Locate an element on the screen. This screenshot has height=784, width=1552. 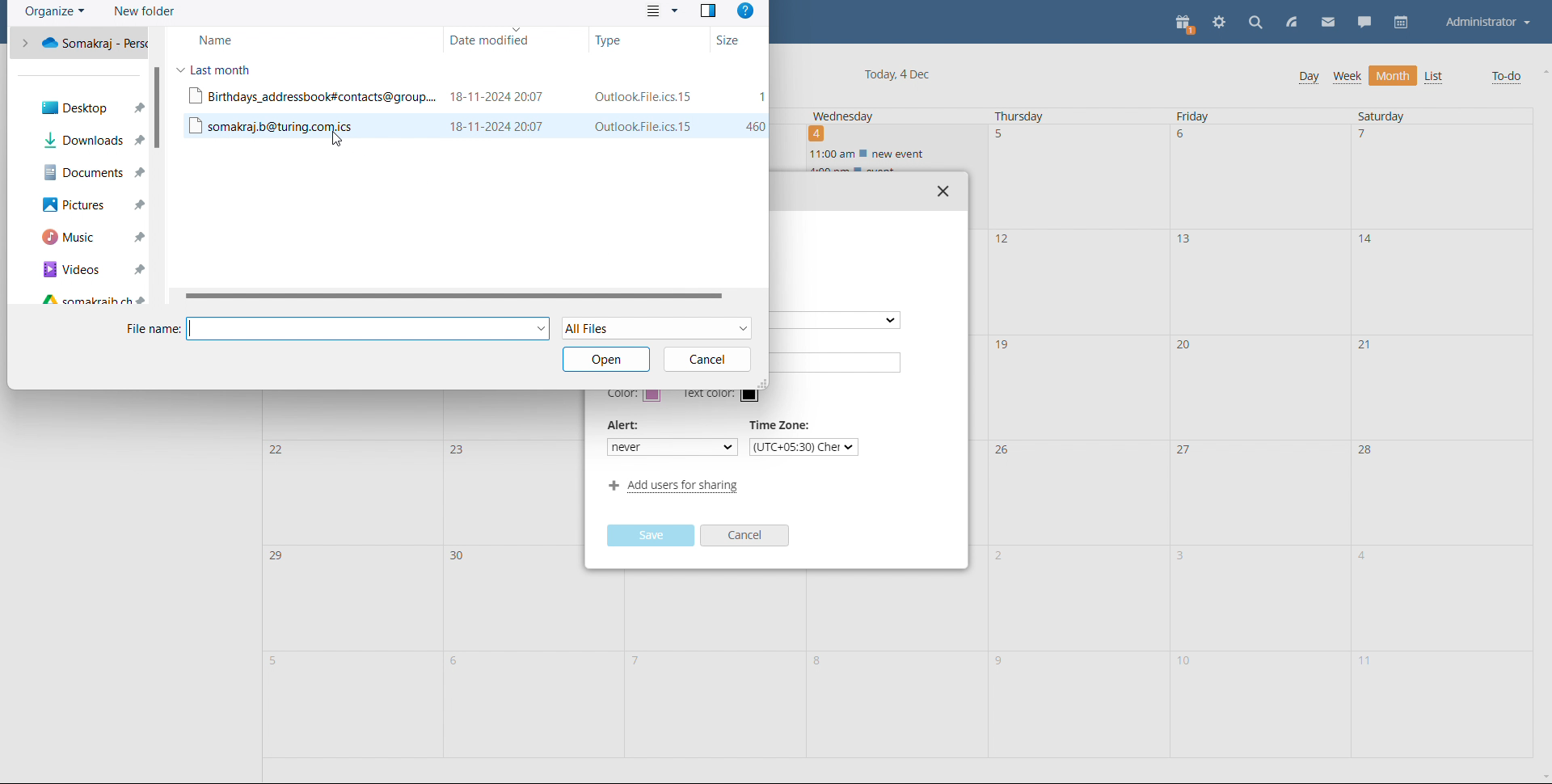
view is located at coordinates (661, 11).